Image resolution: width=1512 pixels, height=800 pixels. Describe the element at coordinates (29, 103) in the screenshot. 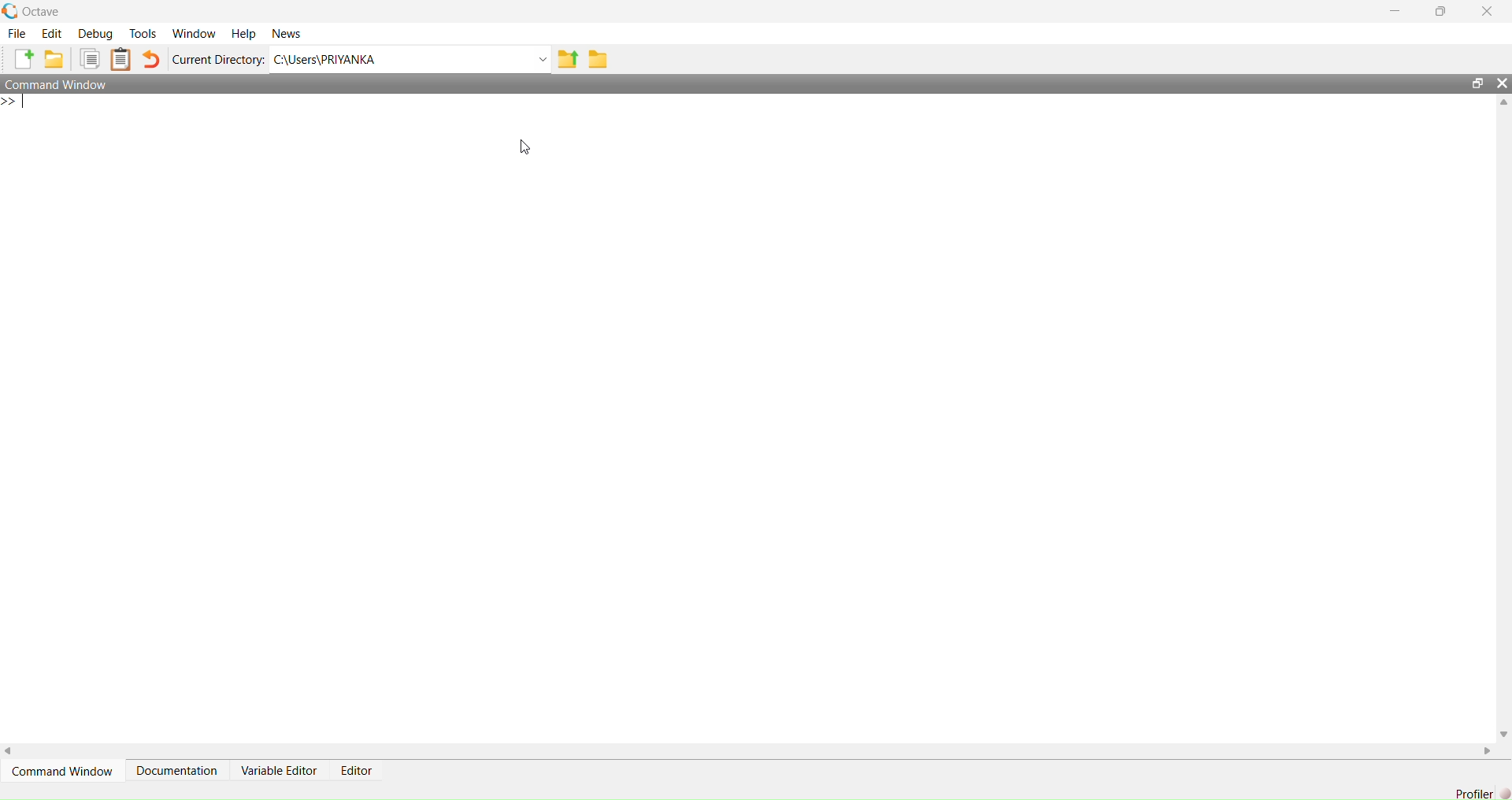

I see `Prompt cursor` at that location.